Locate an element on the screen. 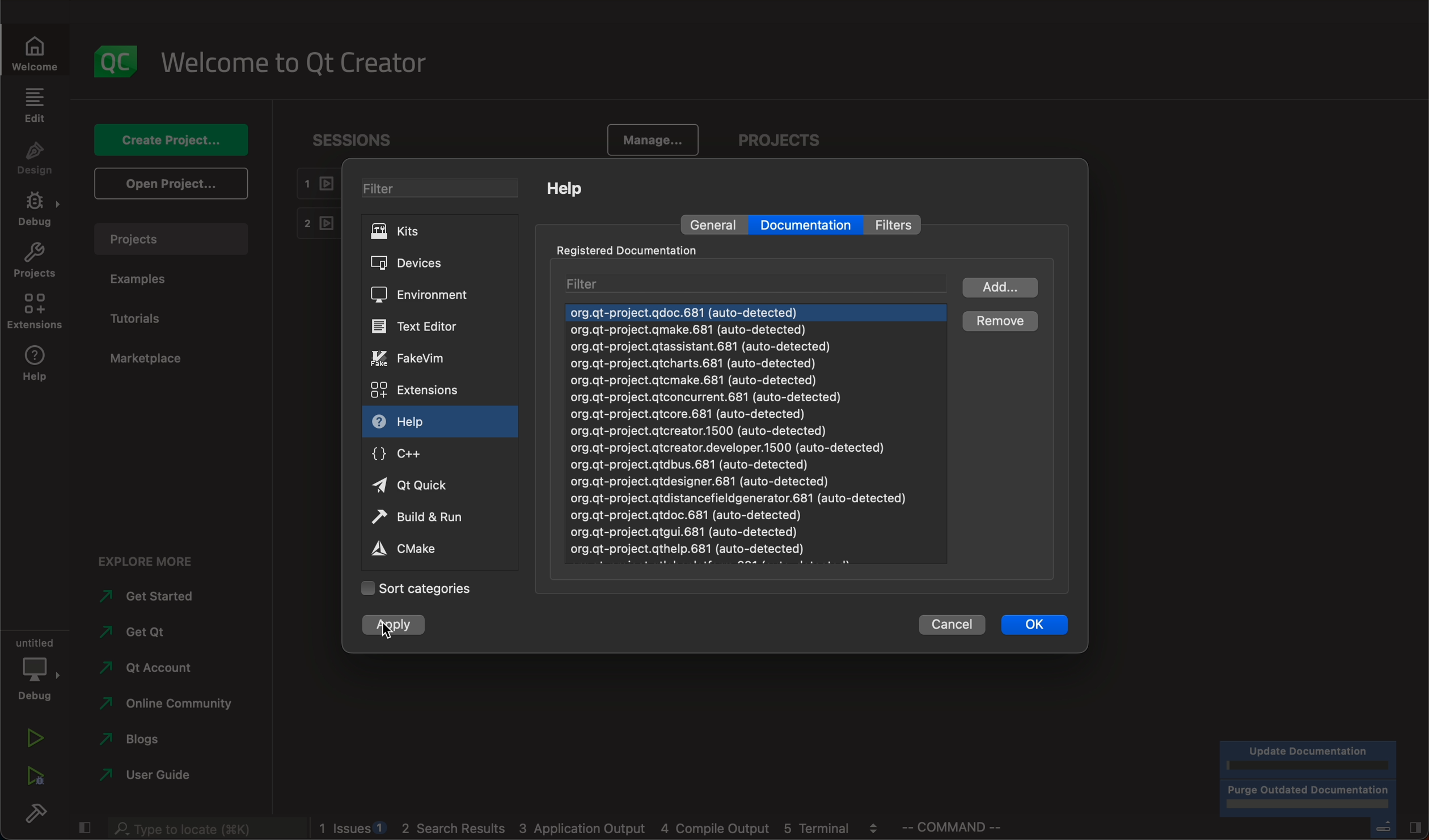 The image size is (1429, 840). tutorials is located at coordinates (147, 320).